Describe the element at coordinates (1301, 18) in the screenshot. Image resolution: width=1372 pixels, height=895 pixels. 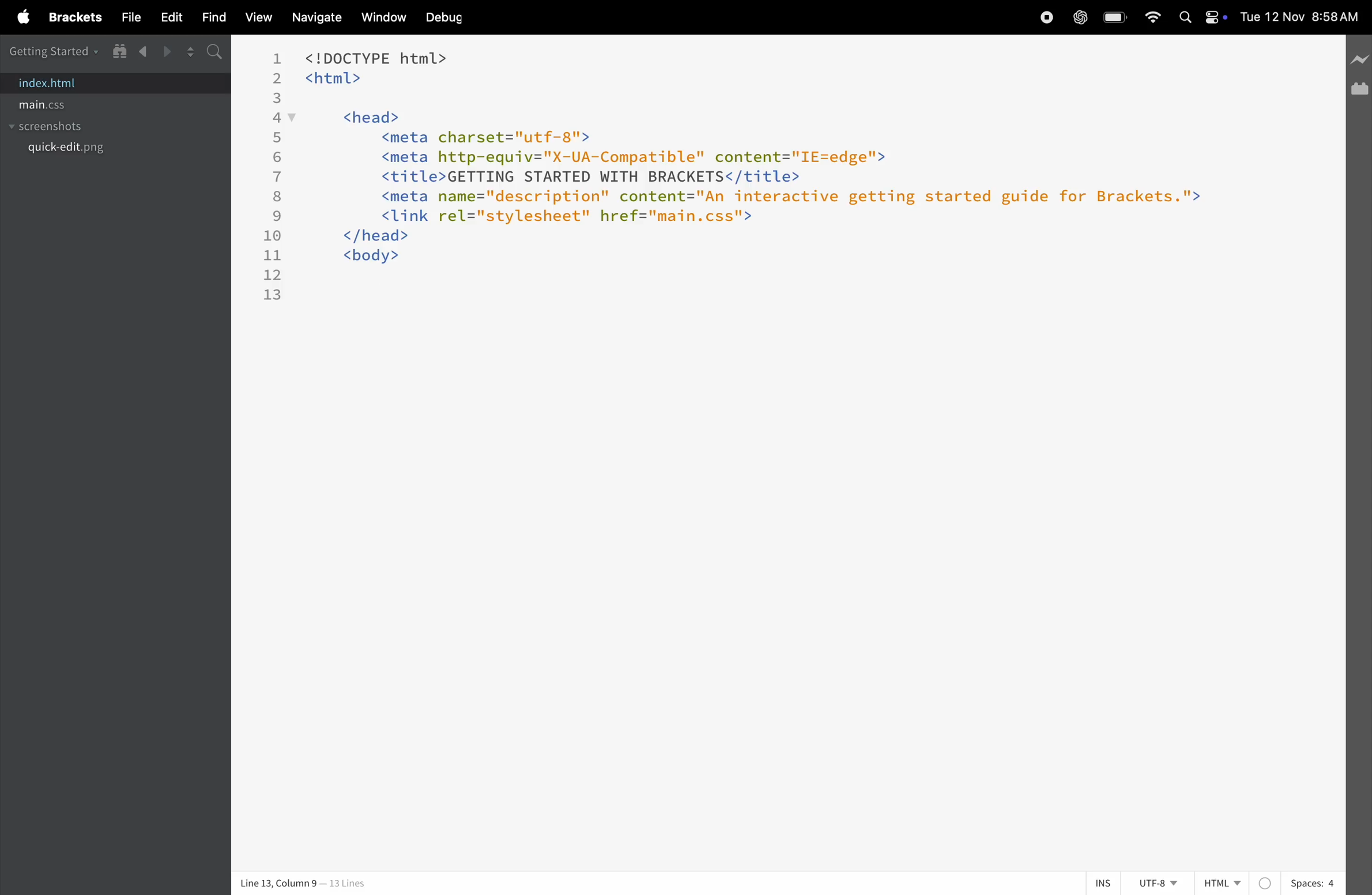
I see `Tue 12 Nov 8:58 AM` at that location.